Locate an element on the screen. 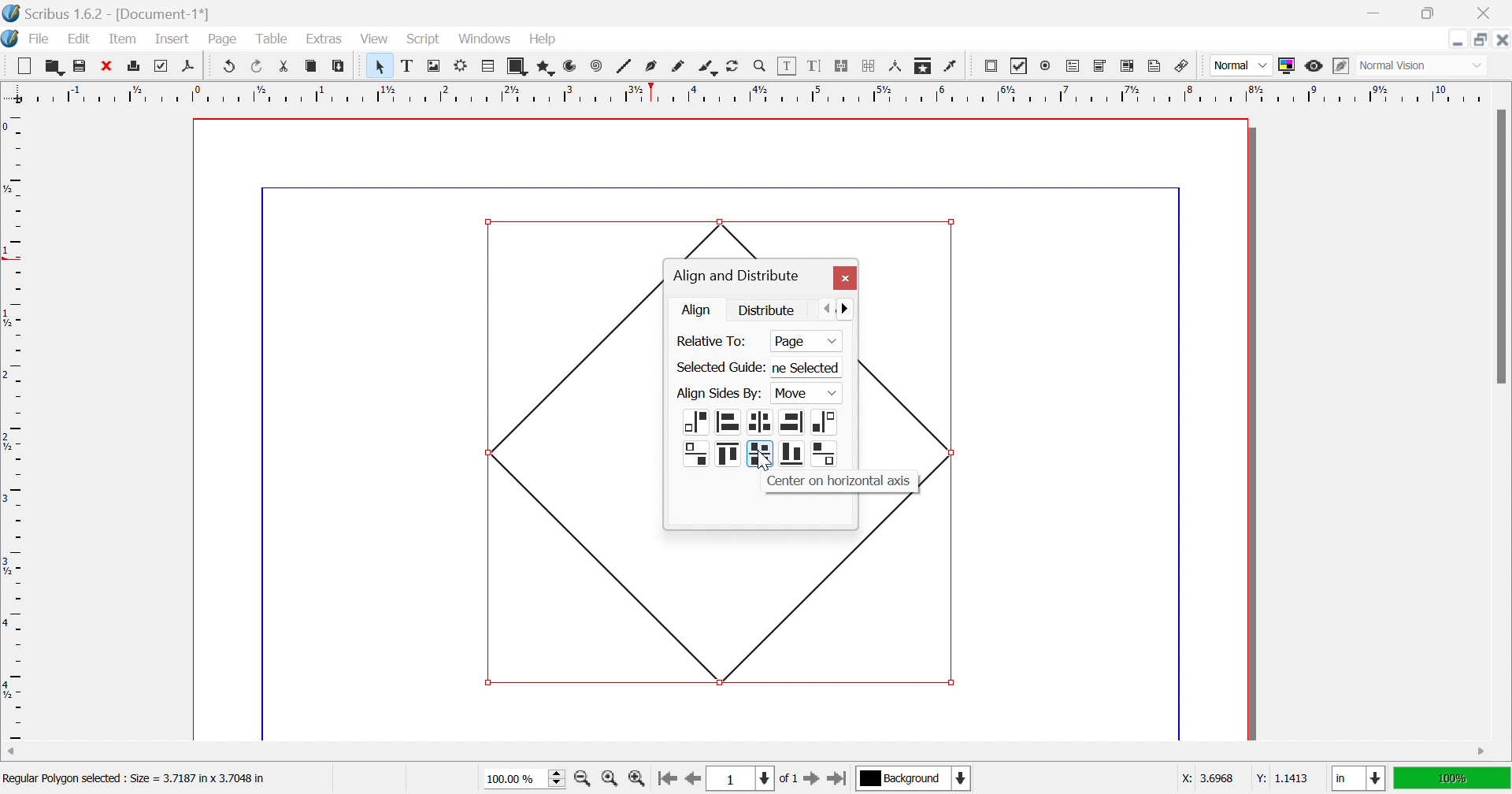 Image resolution: width=1512 pixels, height=794 pixels. Relative To: is located at coordinates (714, 341).